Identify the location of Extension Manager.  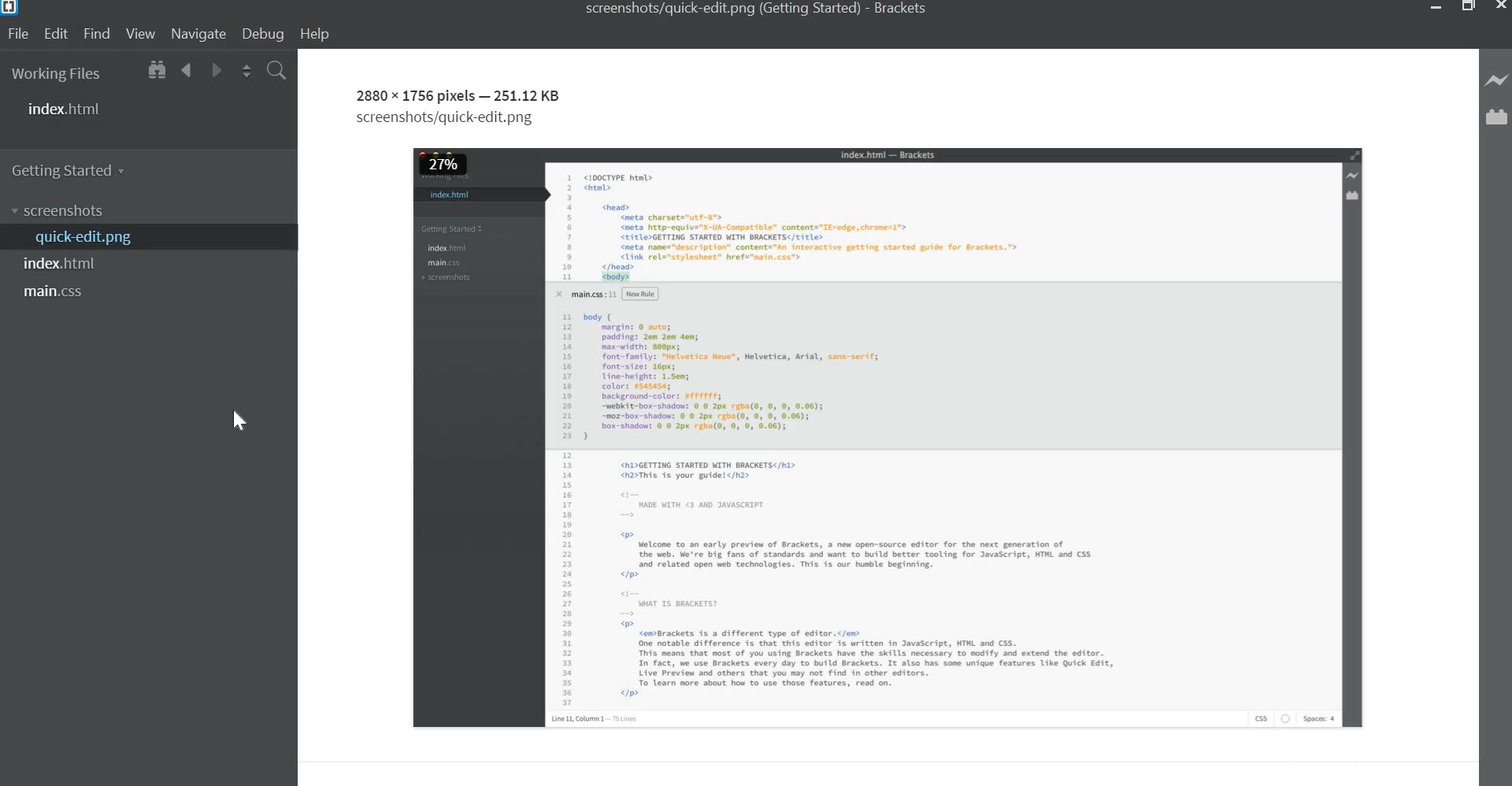
(1499, 121).